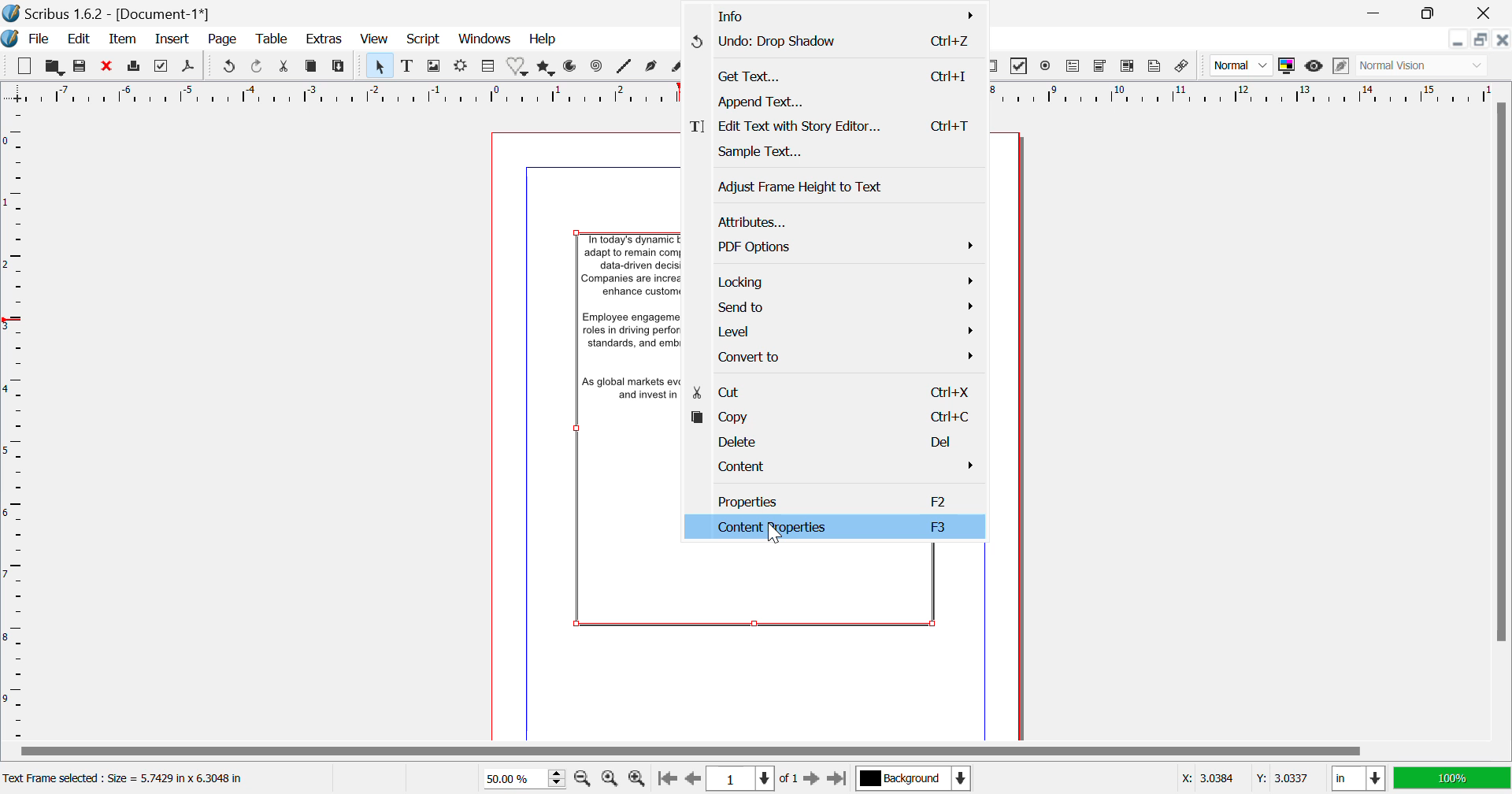  Describe the element at coordinates (638, 779) in the screenshot. I see `Zoom In` at that location.